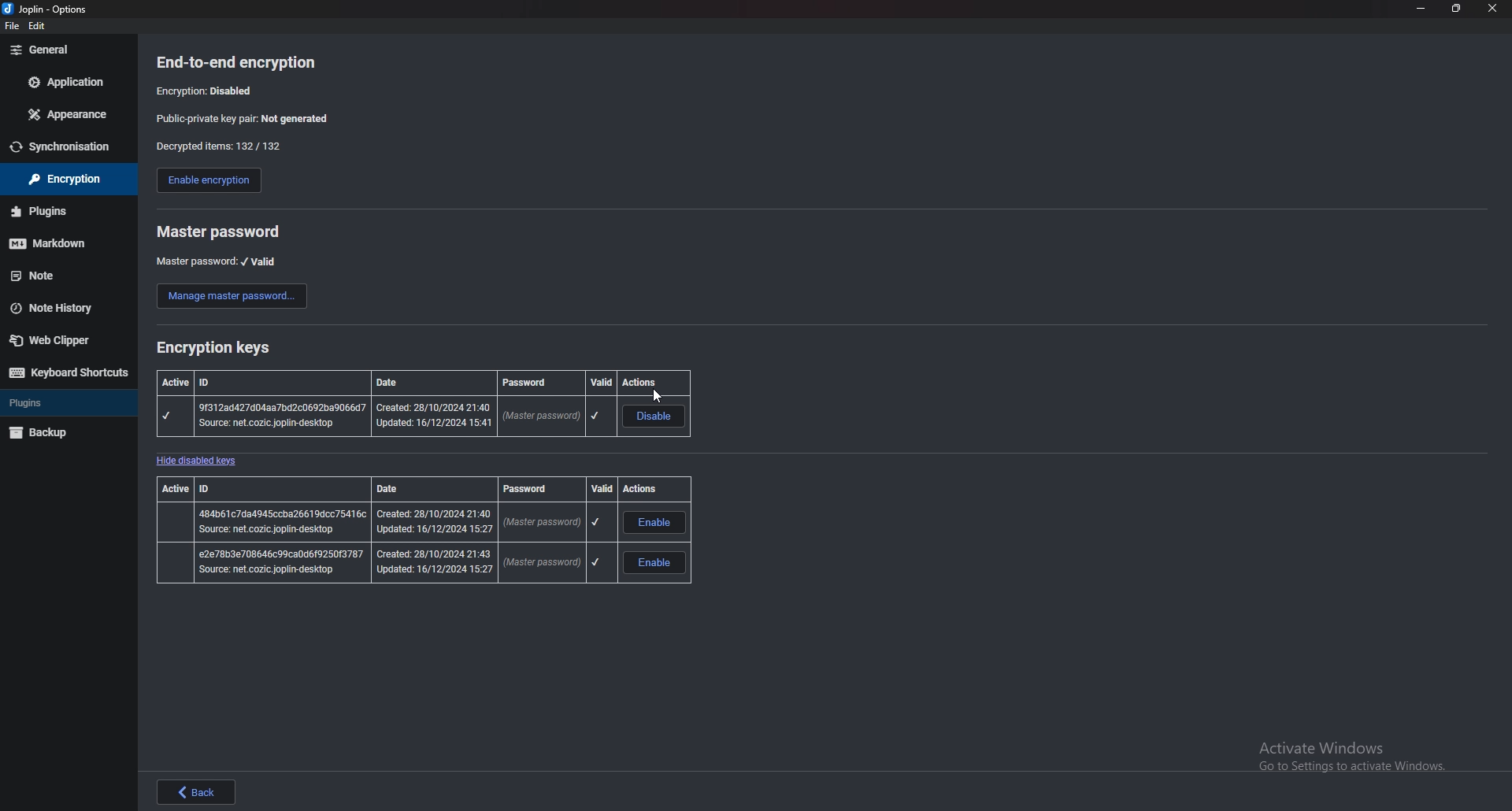  What do you see at coordinates (65, 115) in the screenshot?
I see `appearance` at bounding box center [65, 115].